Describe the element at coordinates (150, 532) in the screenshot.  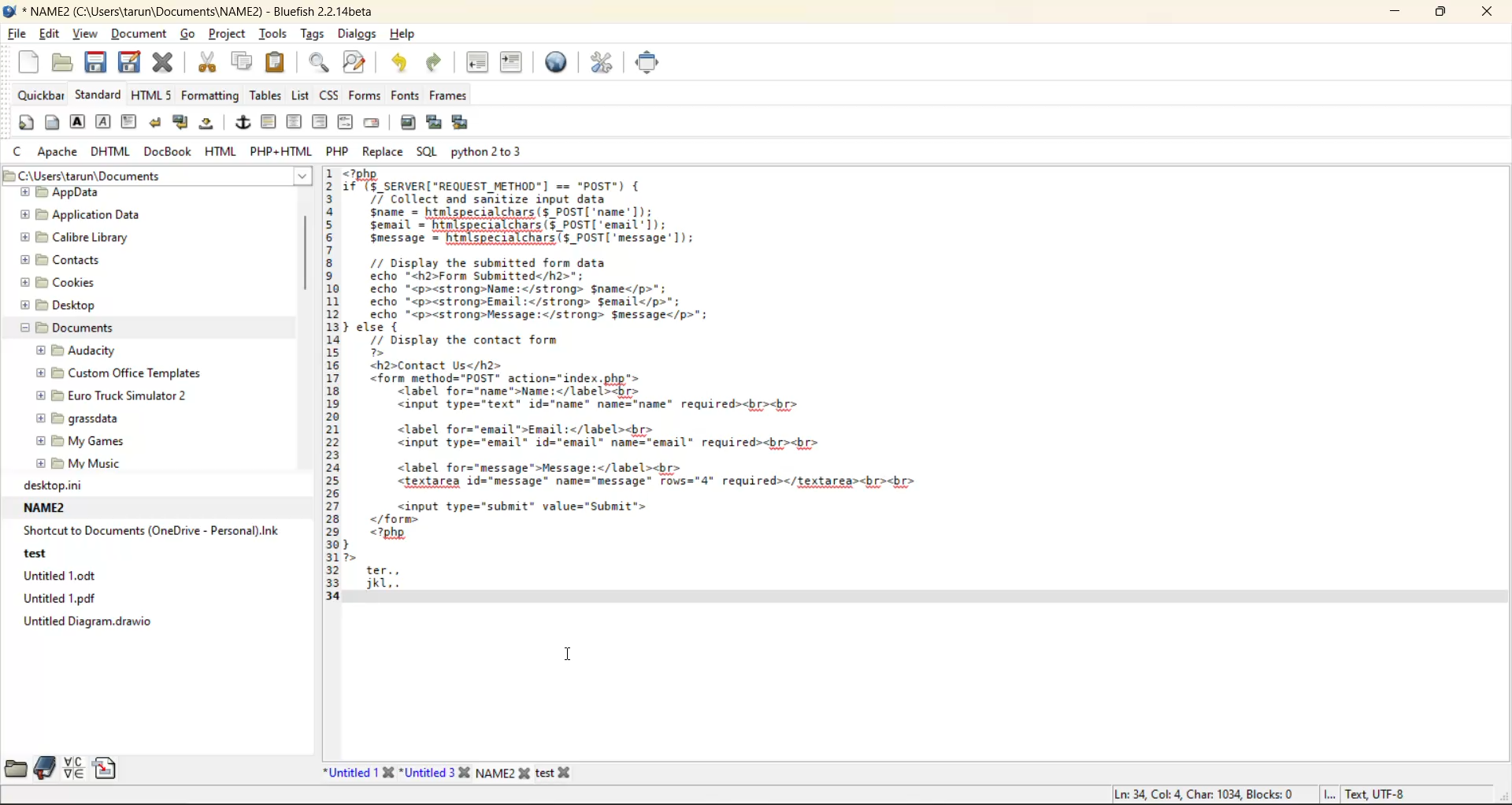
I see `Shortcut to Documents (OneDrive - Personal).Ink` at that location.